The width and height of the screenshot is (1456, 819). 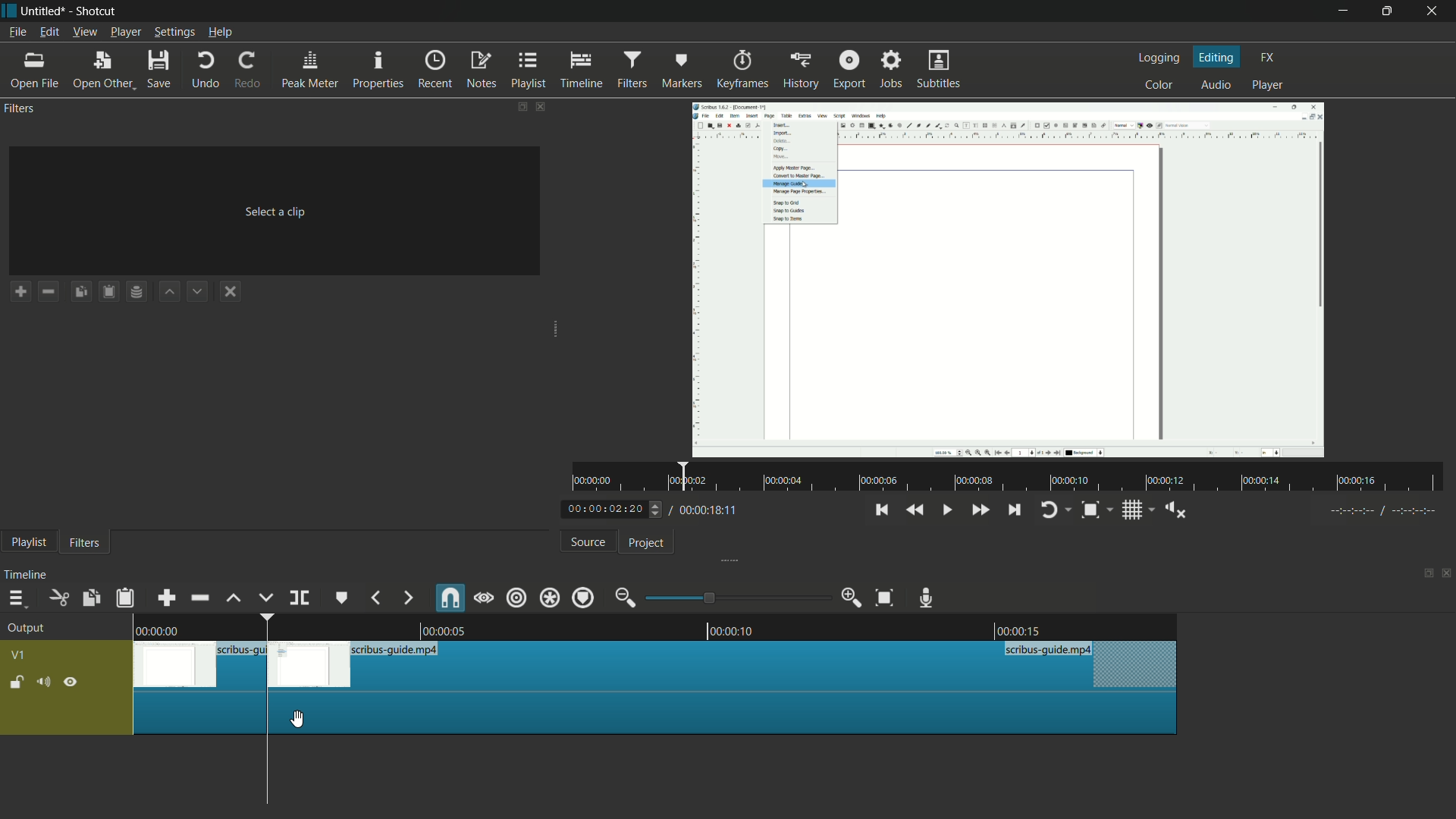 What do you see at coordinates (234, 598) in the screenshot?
I see `lift` at bounding box center [234, 598].